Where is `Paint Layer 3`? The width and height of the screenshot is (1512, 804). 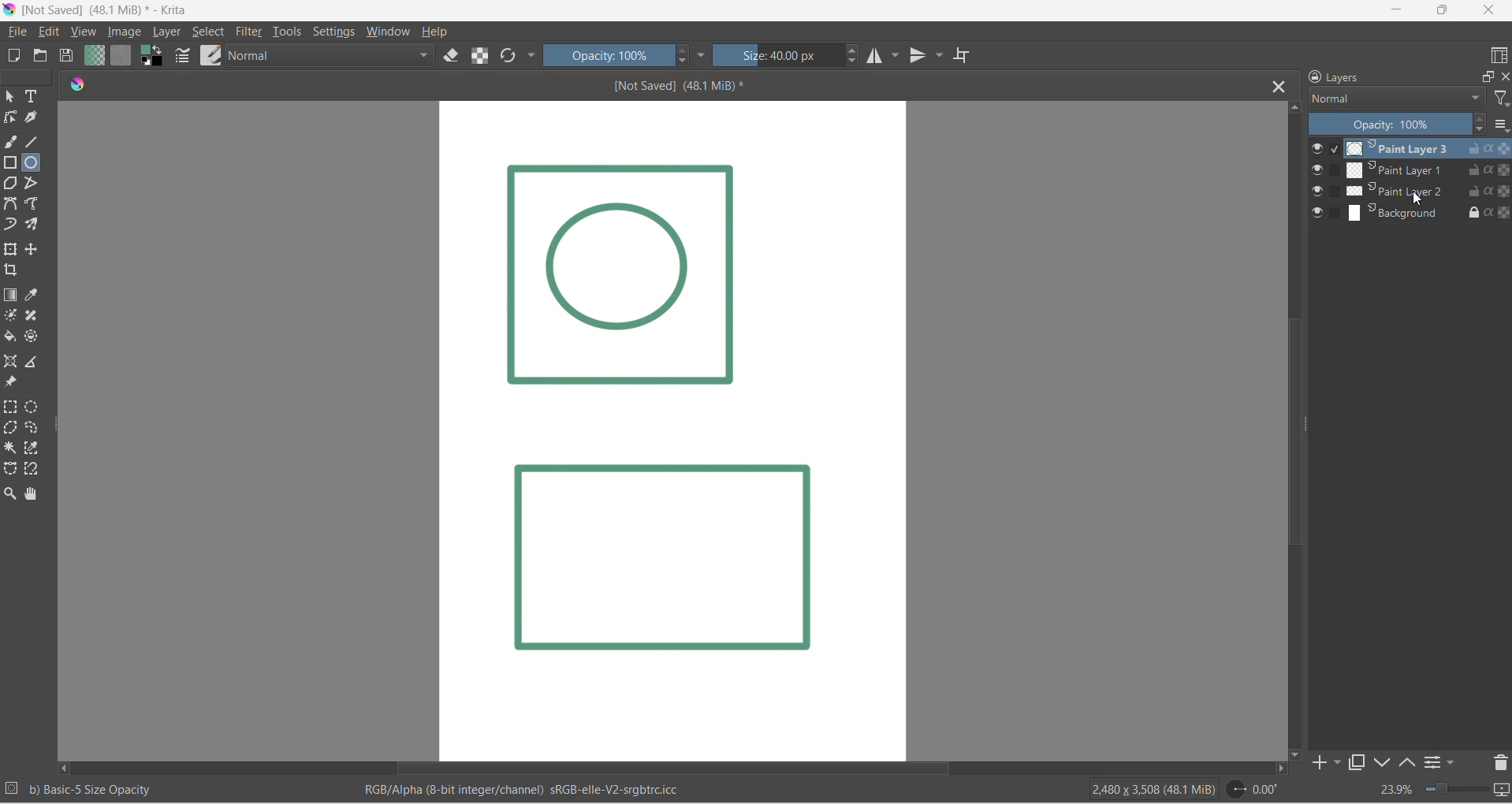
Paint Layer 3 is located at coordinates (1399, 147).